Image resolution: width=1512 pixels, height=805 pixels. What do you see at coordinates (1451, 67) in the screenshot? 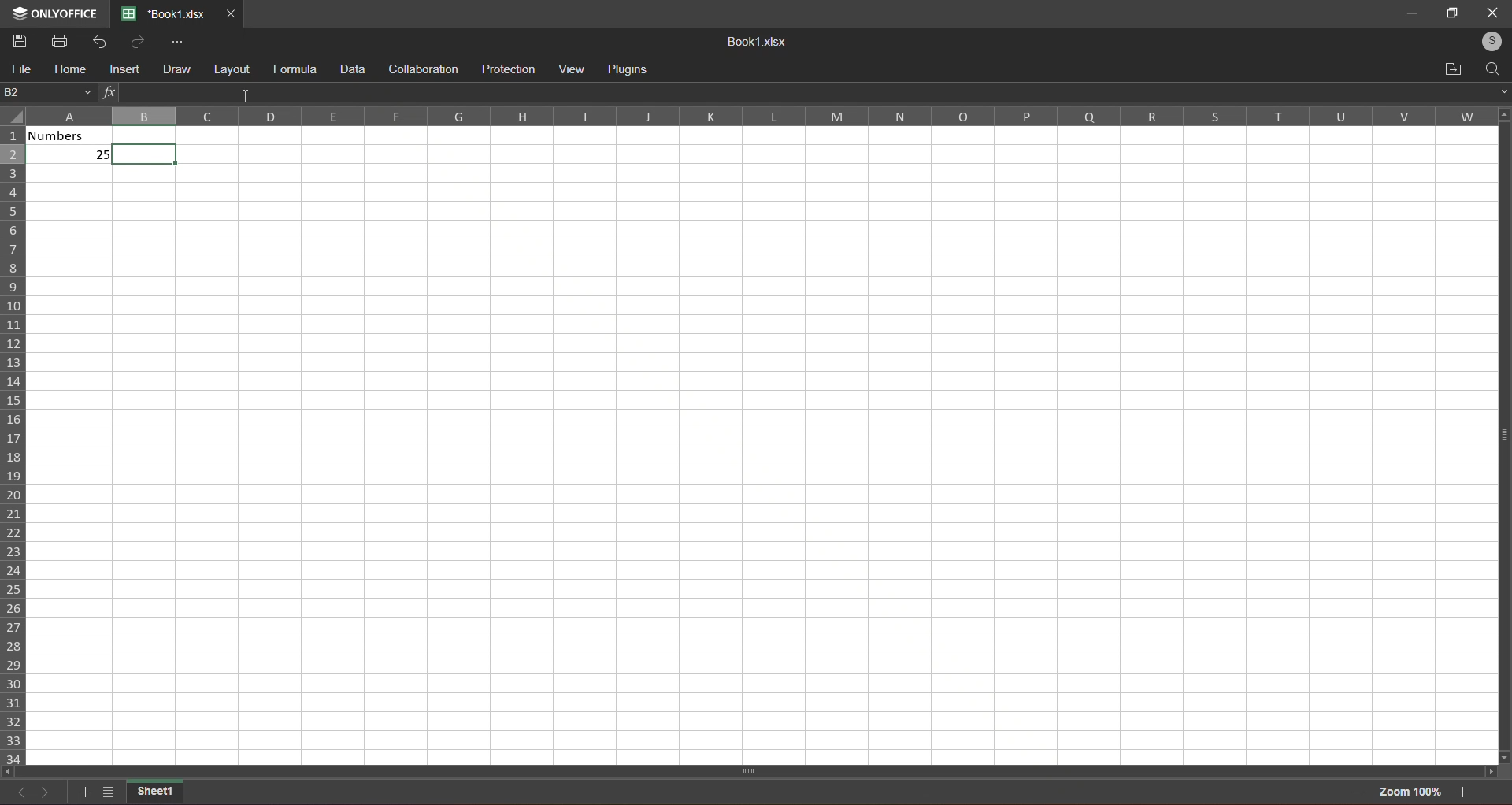
I see `open` at bounding box center [1451, 67].